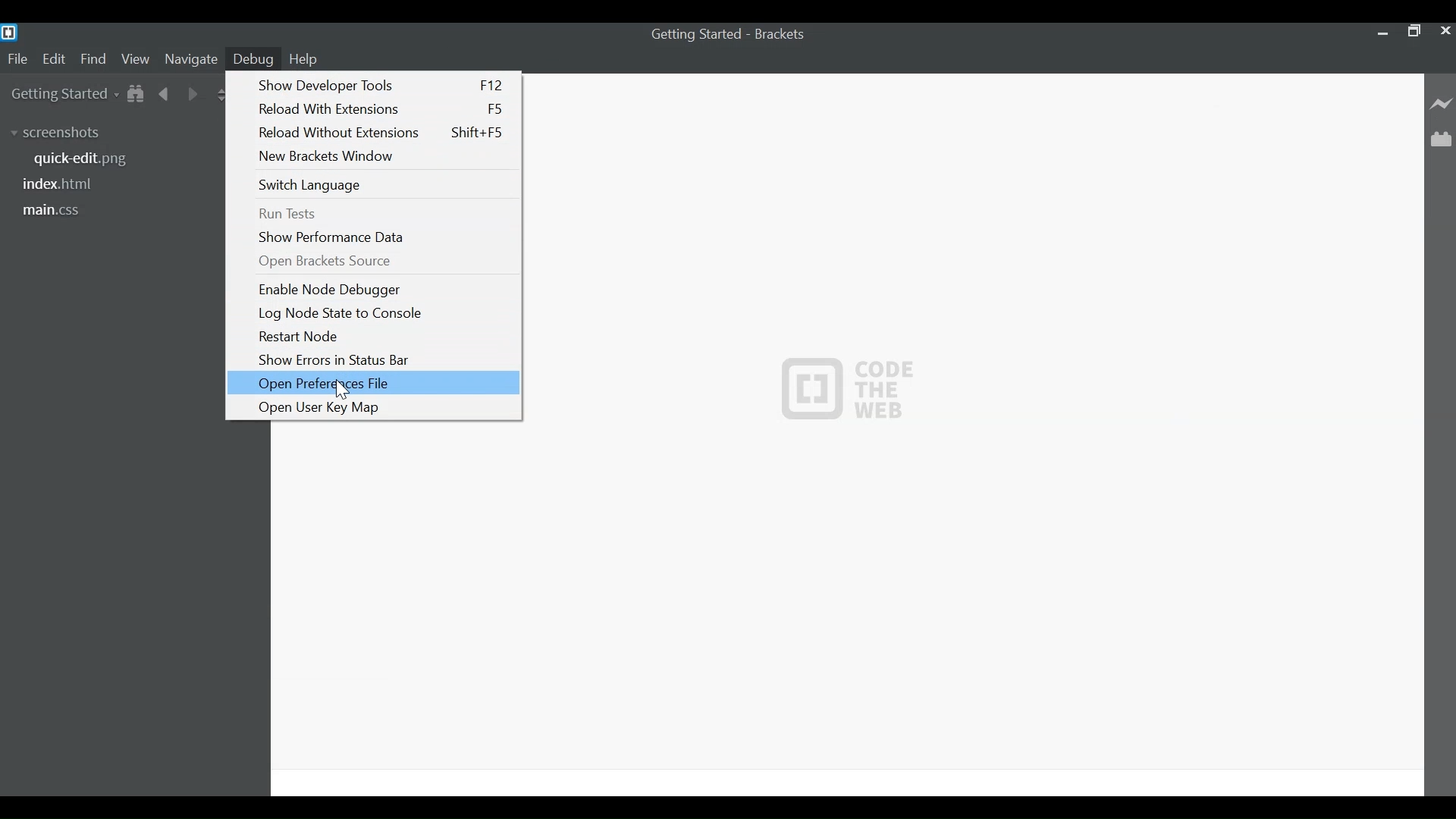 This screenshot has height=819, width=1456. I want to click on Run Tests, so click(381, 215).